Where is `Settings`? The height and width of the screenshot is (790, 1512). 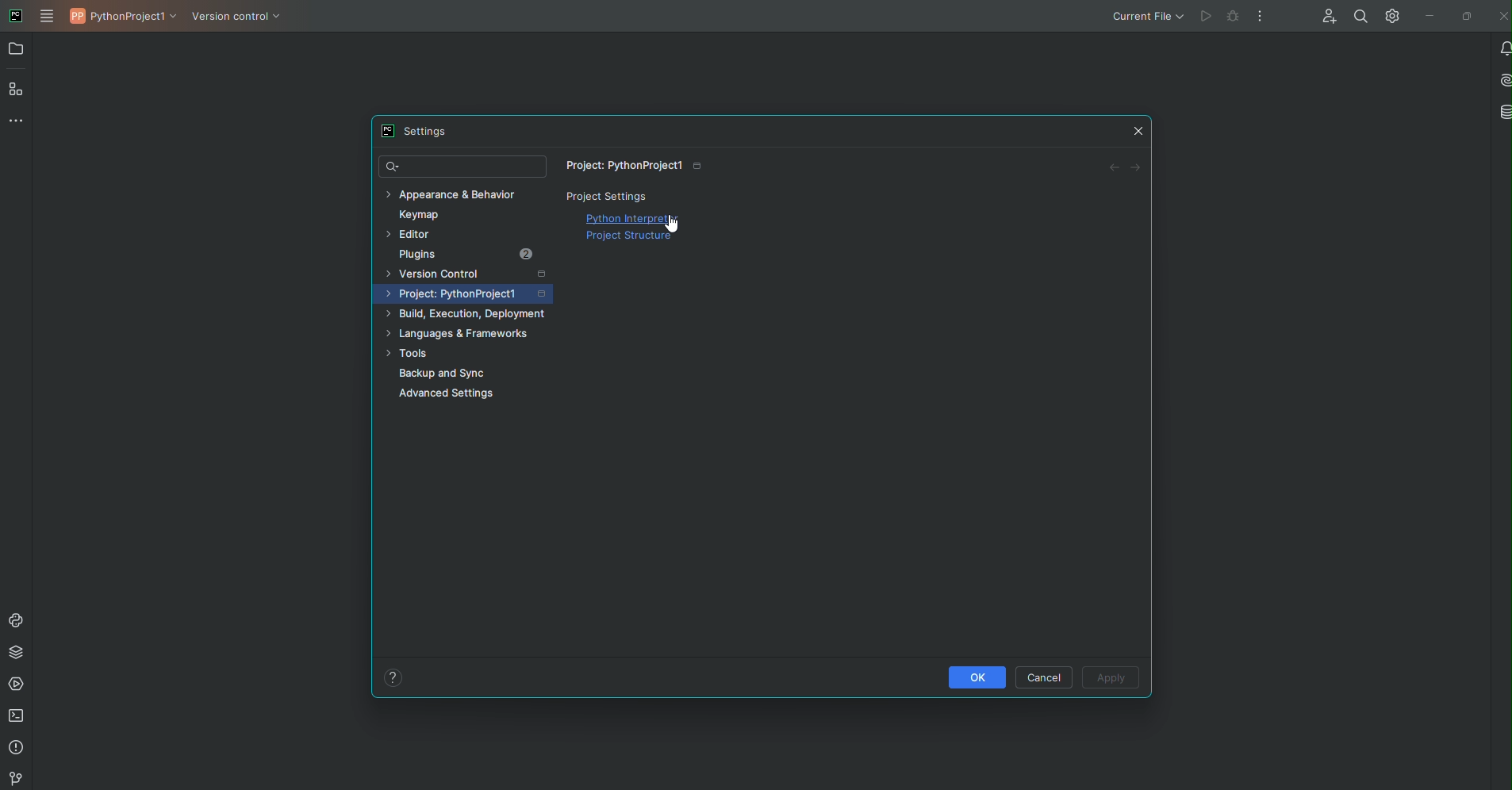
Settings is located at coordinates (412, 131).